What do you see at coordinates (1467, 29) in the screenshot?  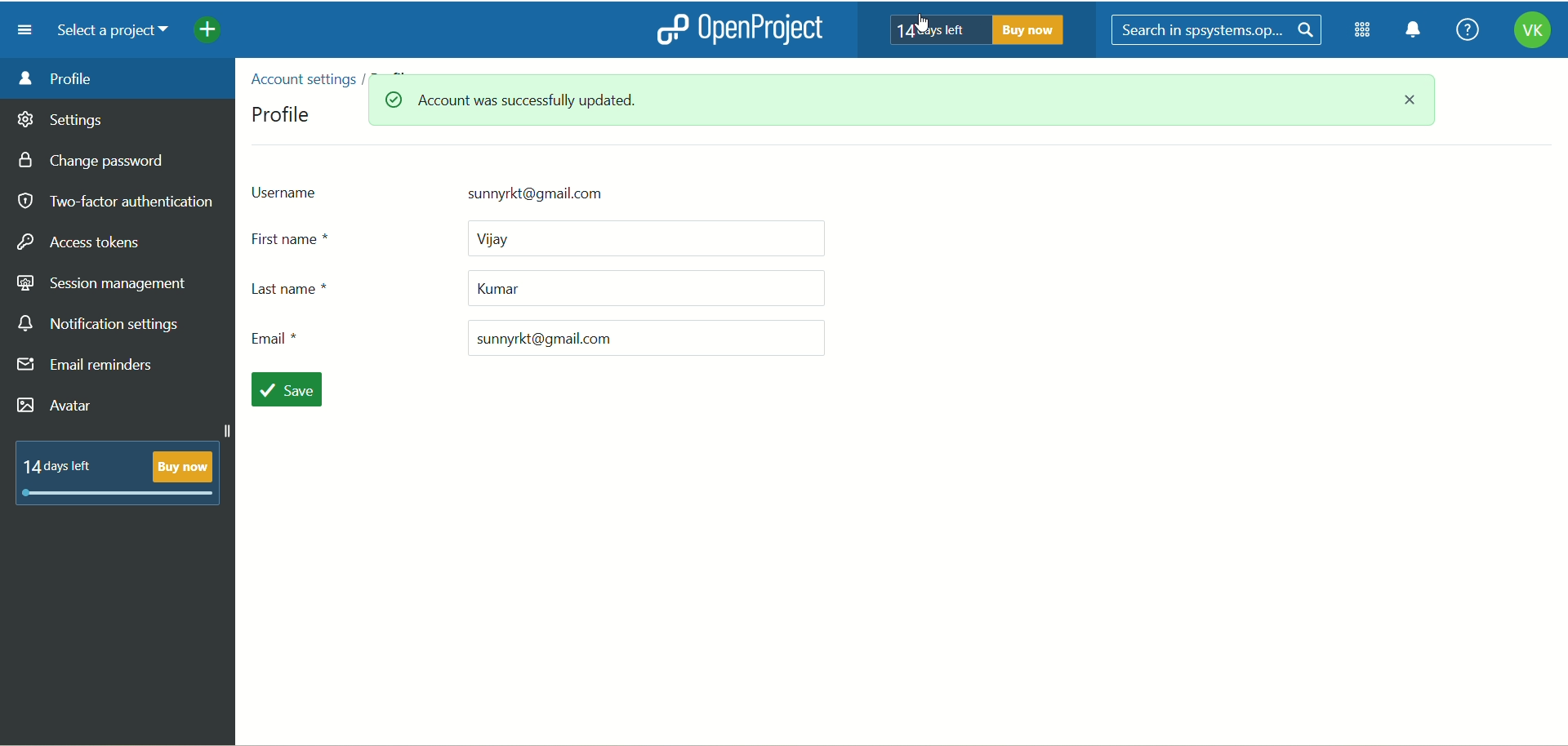 I see `help` at bounding box center [1467, 29].